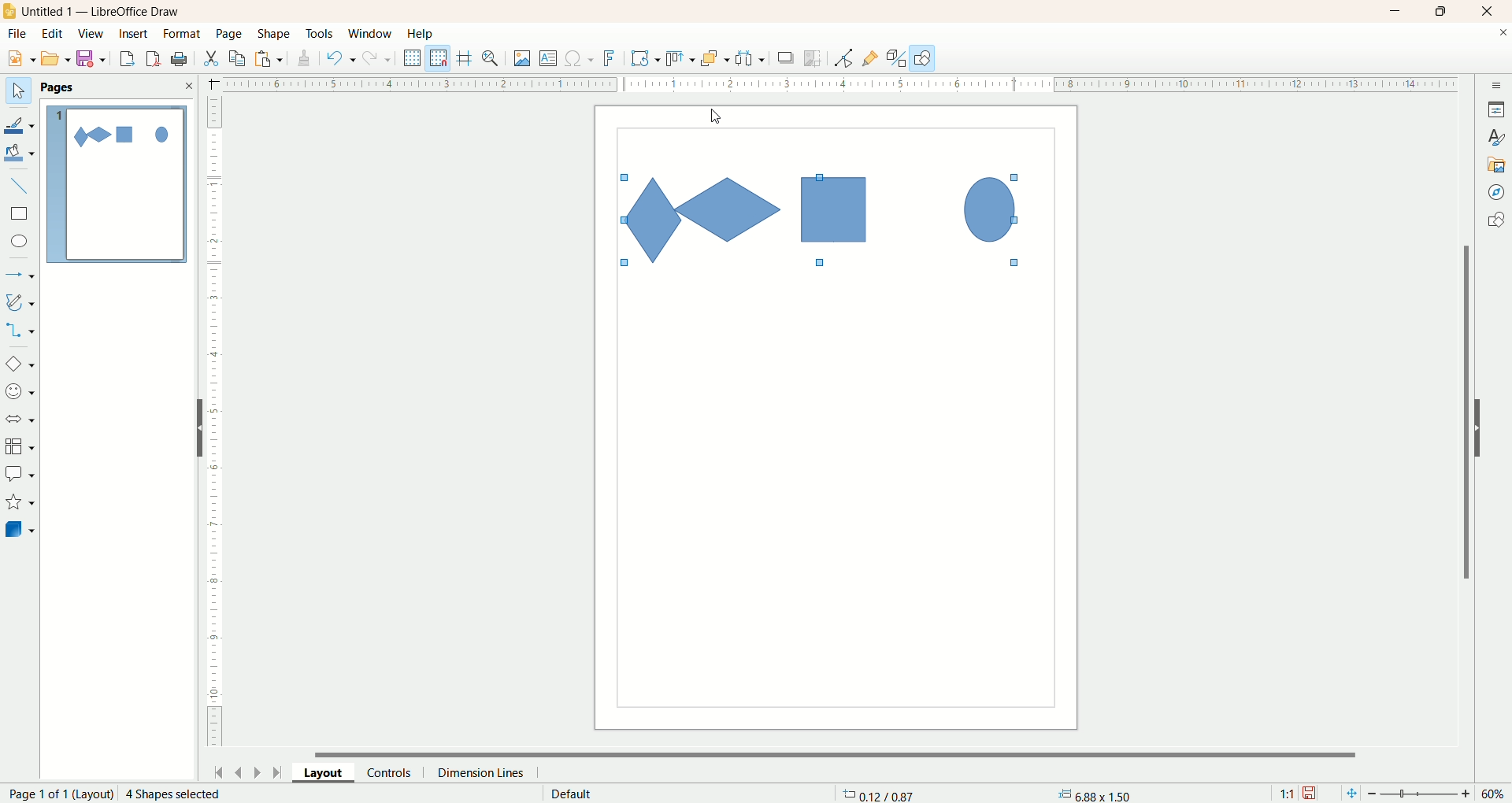 The height and width of the screenshot is (803, 1512). I want to click on flowchart, so click(20, 447).